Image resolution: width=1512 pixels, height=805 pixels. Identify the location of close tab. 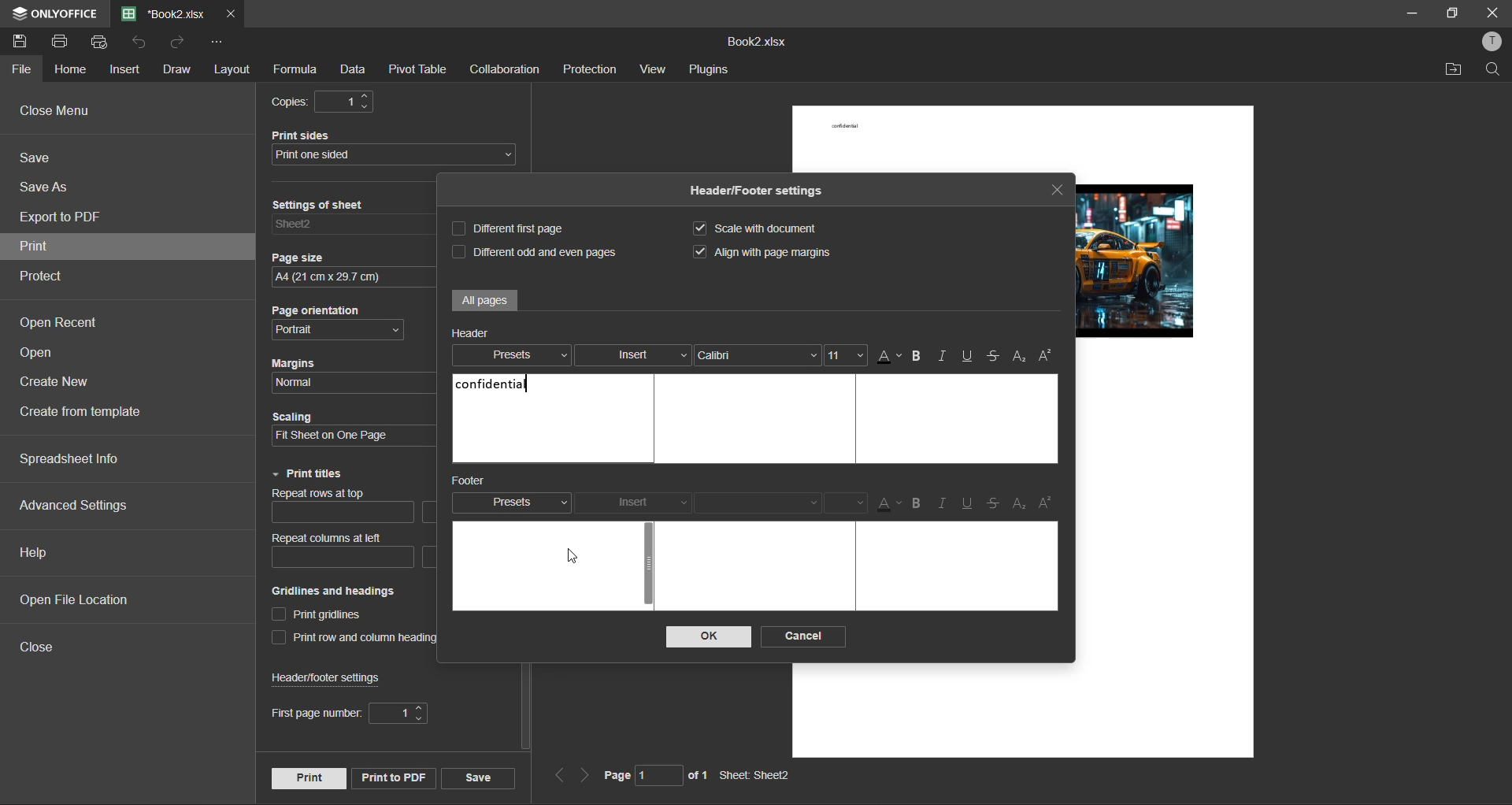
(230, 10).